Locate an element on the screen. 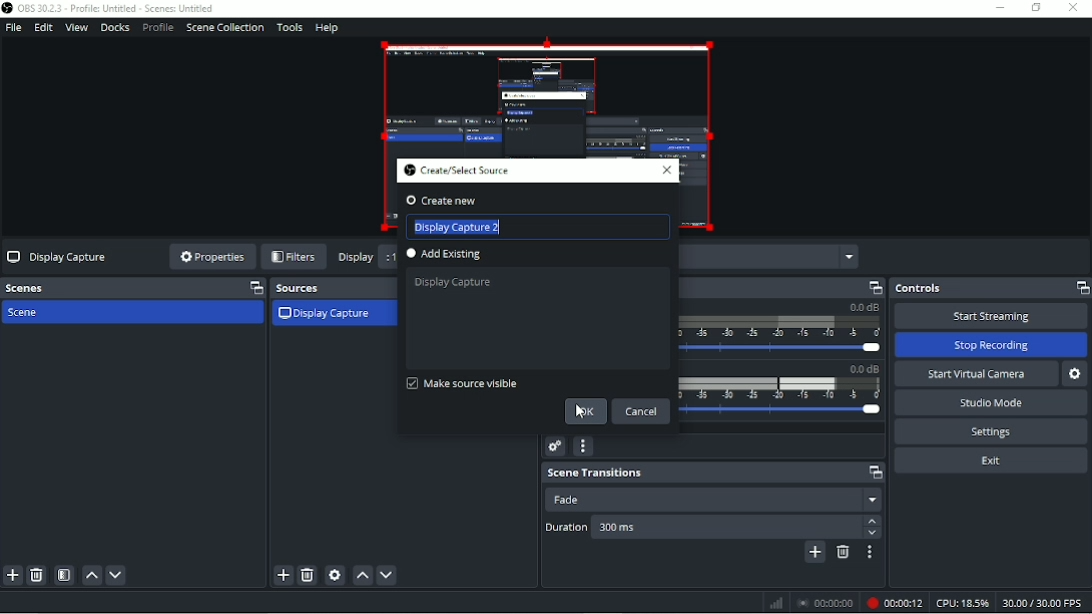 Image resolution: width=1092 pixels, height=614 pixels. Move scene down is located at coordinates (117, 574).